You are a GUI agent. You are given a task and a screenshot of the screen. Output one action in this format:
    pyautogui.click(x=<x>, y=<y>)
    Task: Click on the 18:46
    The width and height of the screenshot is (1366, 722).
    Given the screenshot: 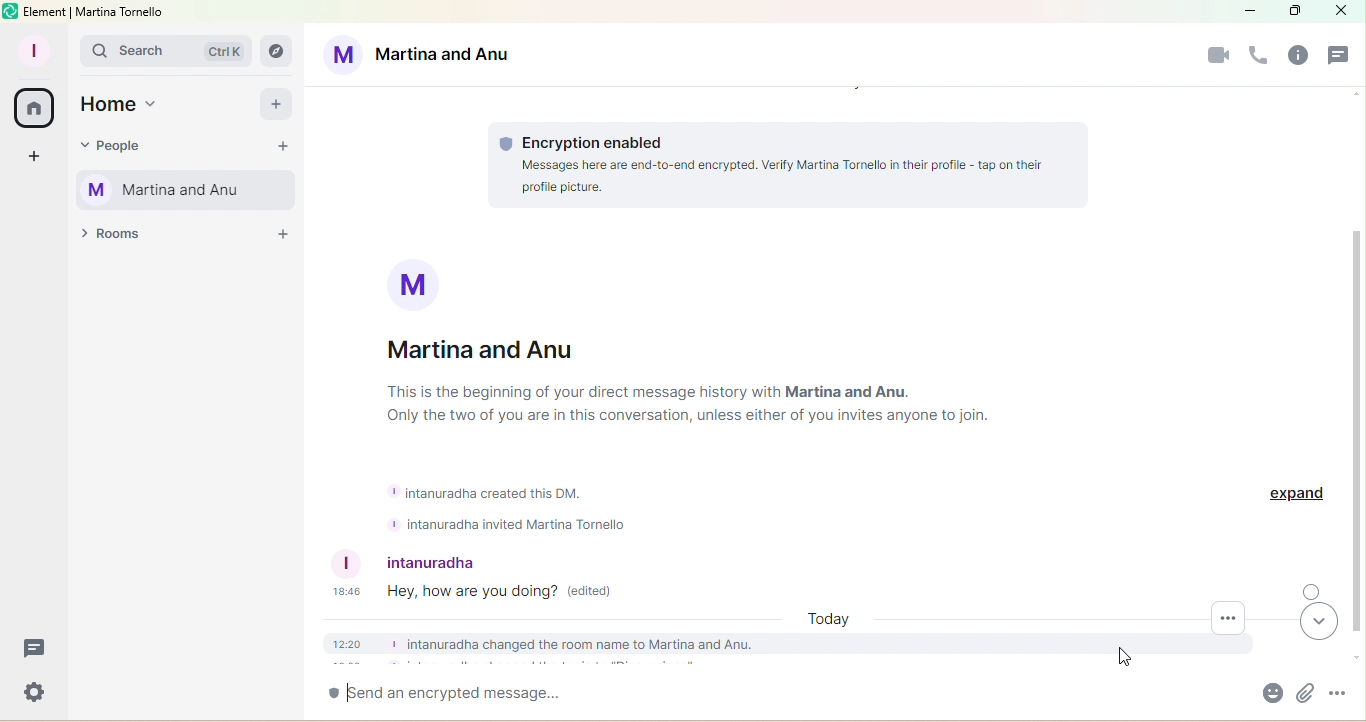 What is the action you would take?
    pyautogui.click(x=341, y=590)
    